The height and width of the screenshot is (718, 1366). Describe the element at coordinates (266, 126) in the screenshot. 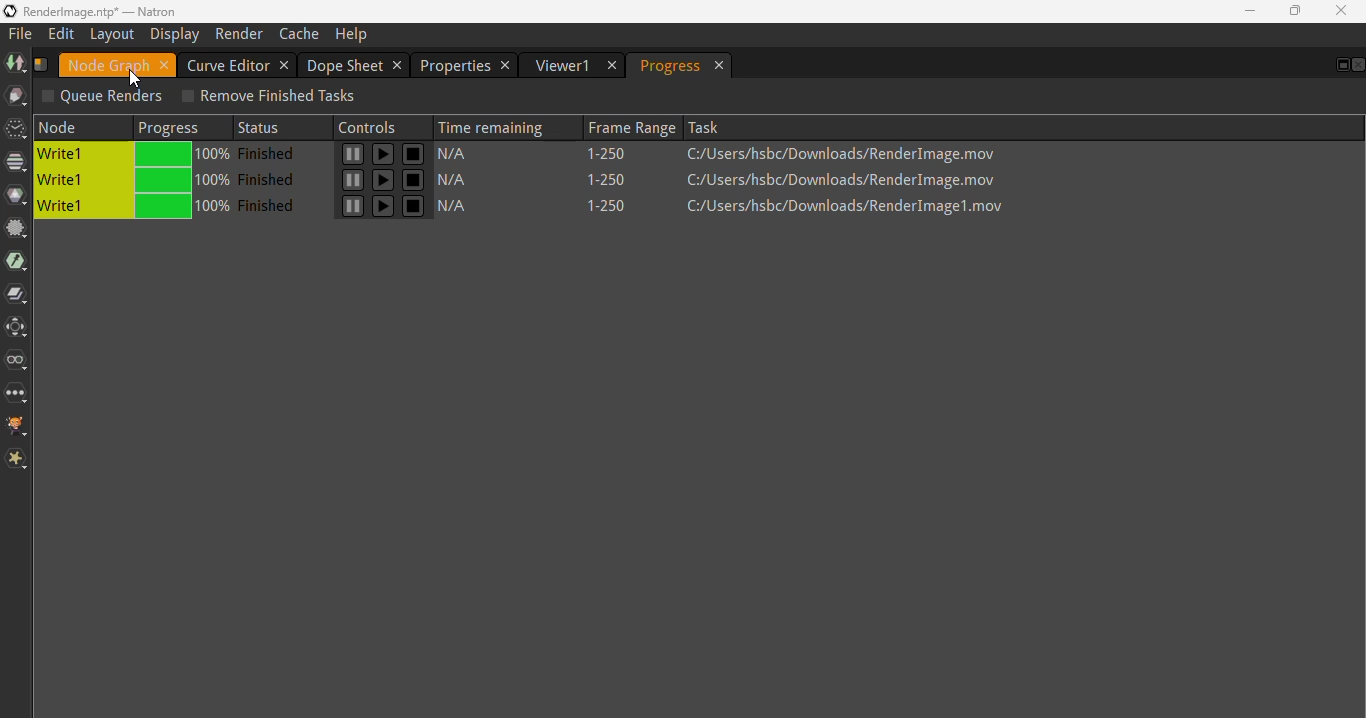

I see `status` at that location.